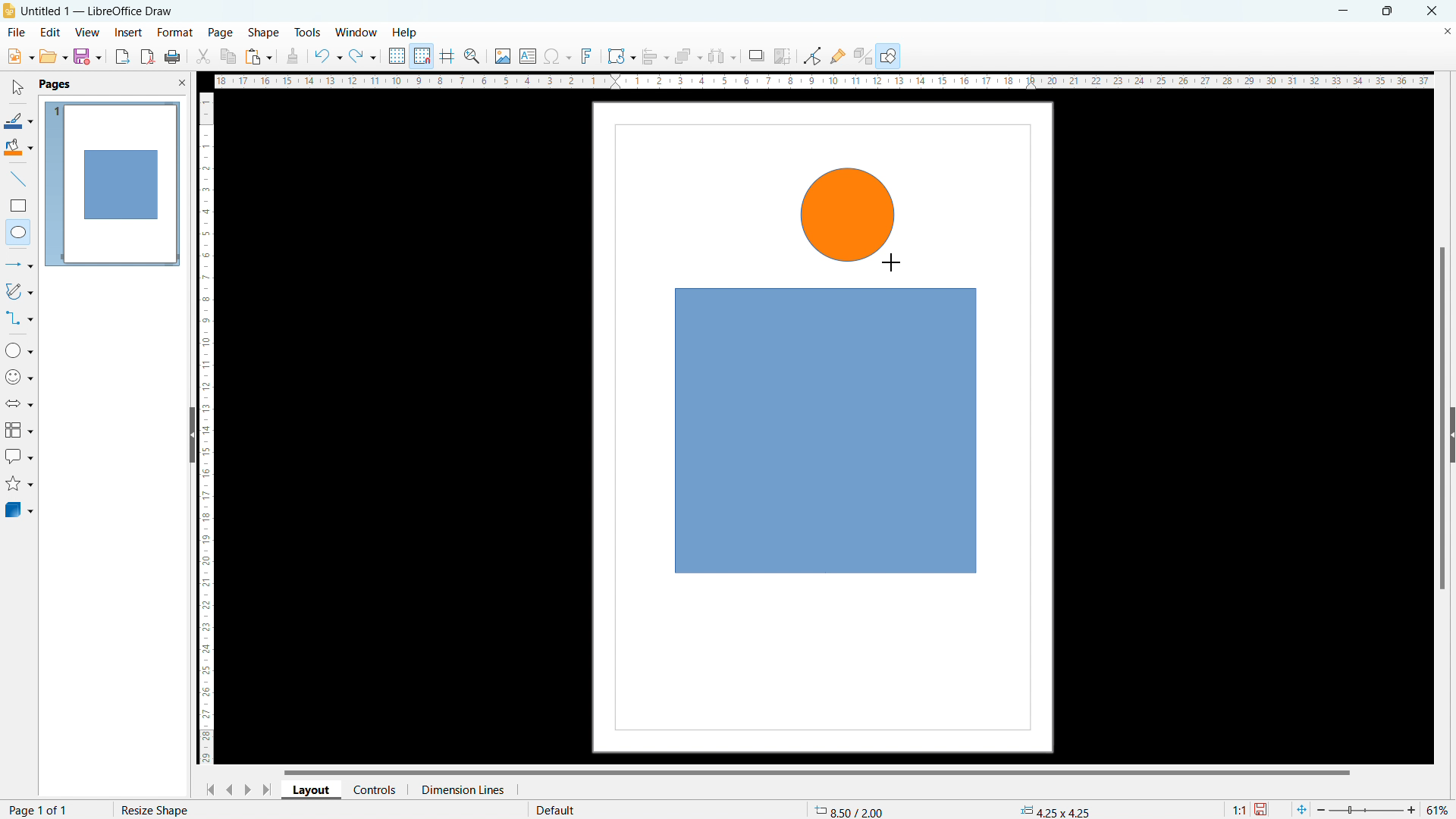  Describe the element at coordinates (890, 57) in the screenshot. I see `show draw functions` at that location.